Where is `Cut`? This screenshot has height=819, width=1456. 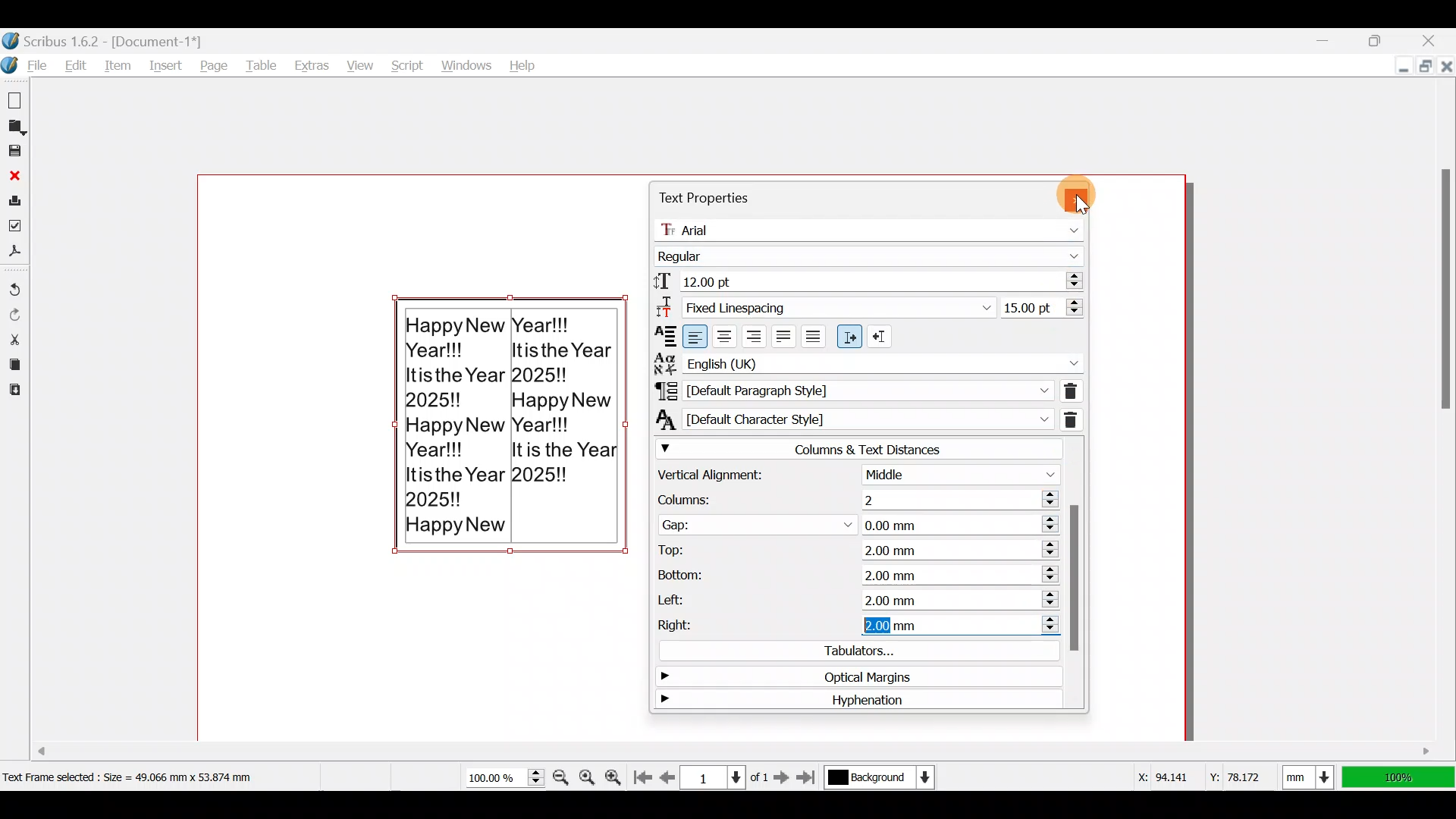 Cut is located at coordinates (14, 338).